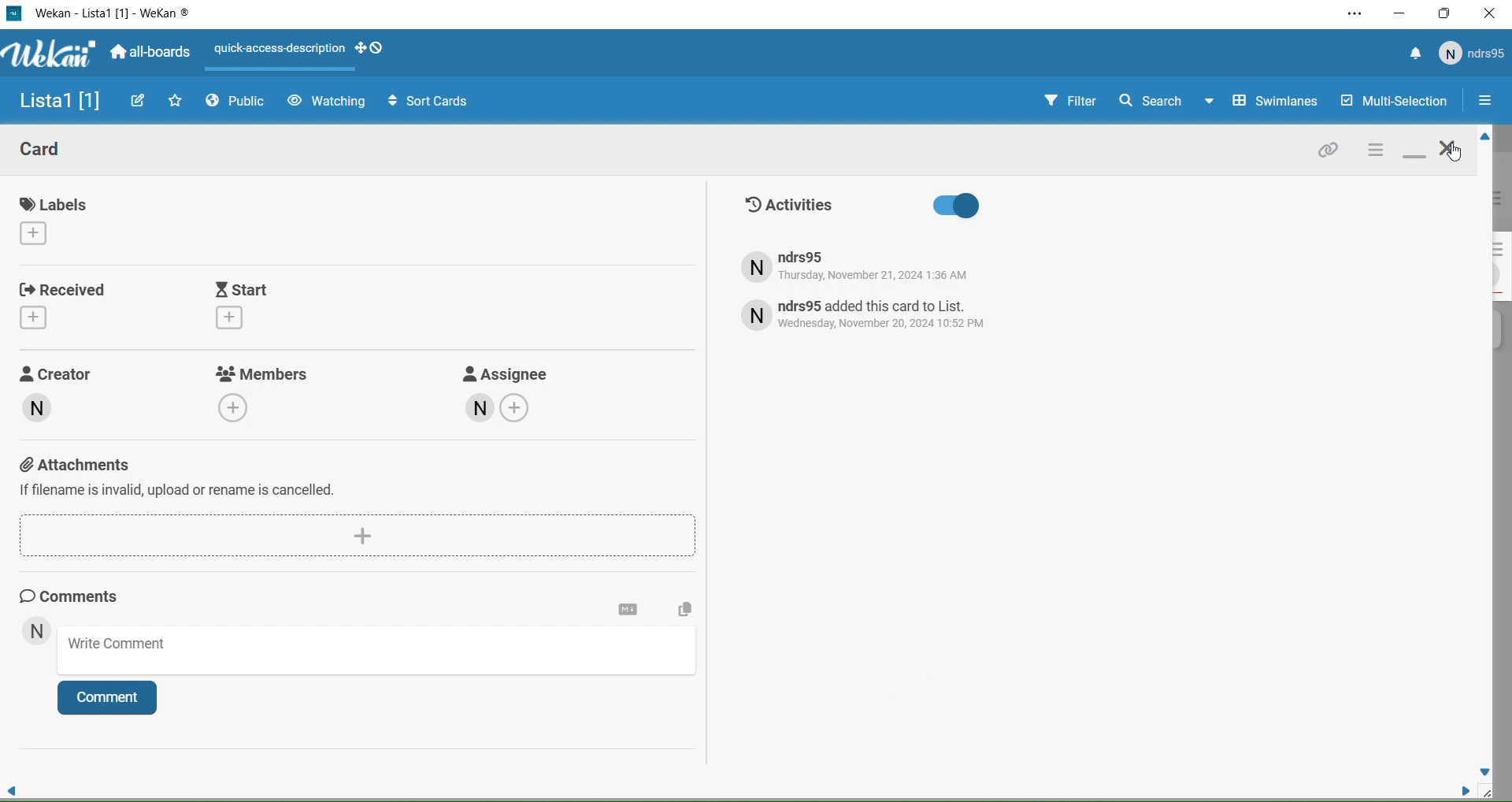 This screenshot has width=1512, height=802. I want to click on minimise, so click(1414, 153).